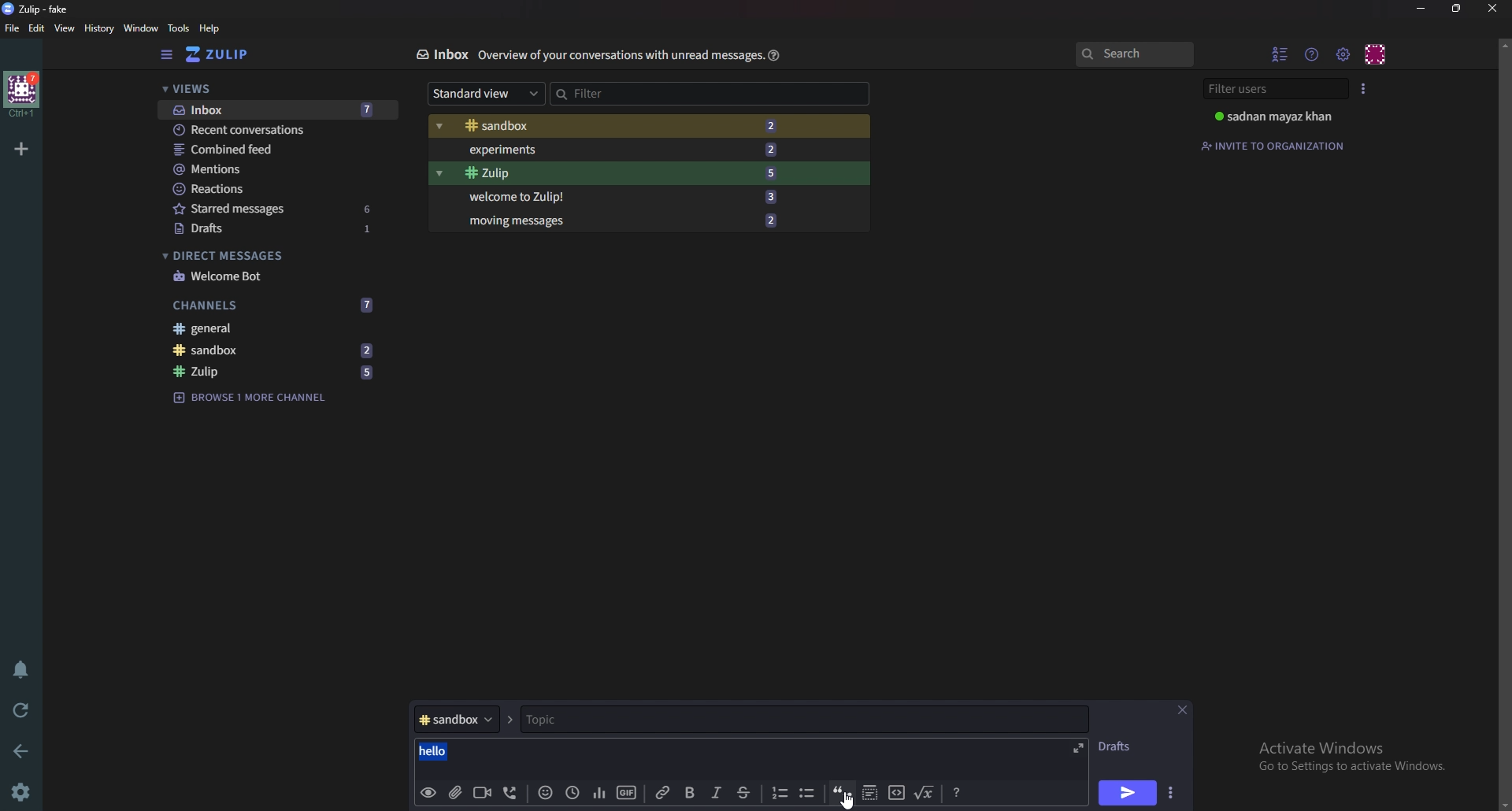  I want to click on back, so click(25, 749).